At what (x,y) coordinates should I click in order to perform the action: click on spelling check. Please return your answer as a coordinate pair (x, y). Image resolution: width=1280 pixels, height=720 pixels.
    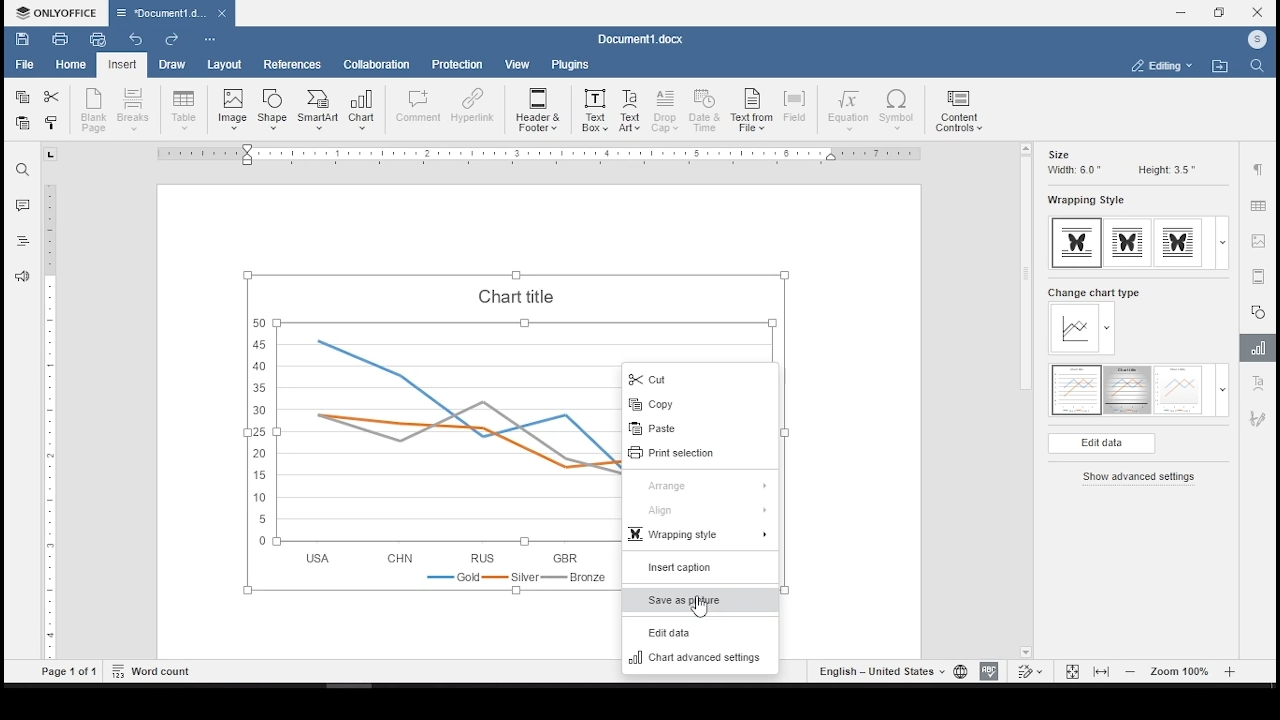
    Looking at the image, I should click on (988, 671).